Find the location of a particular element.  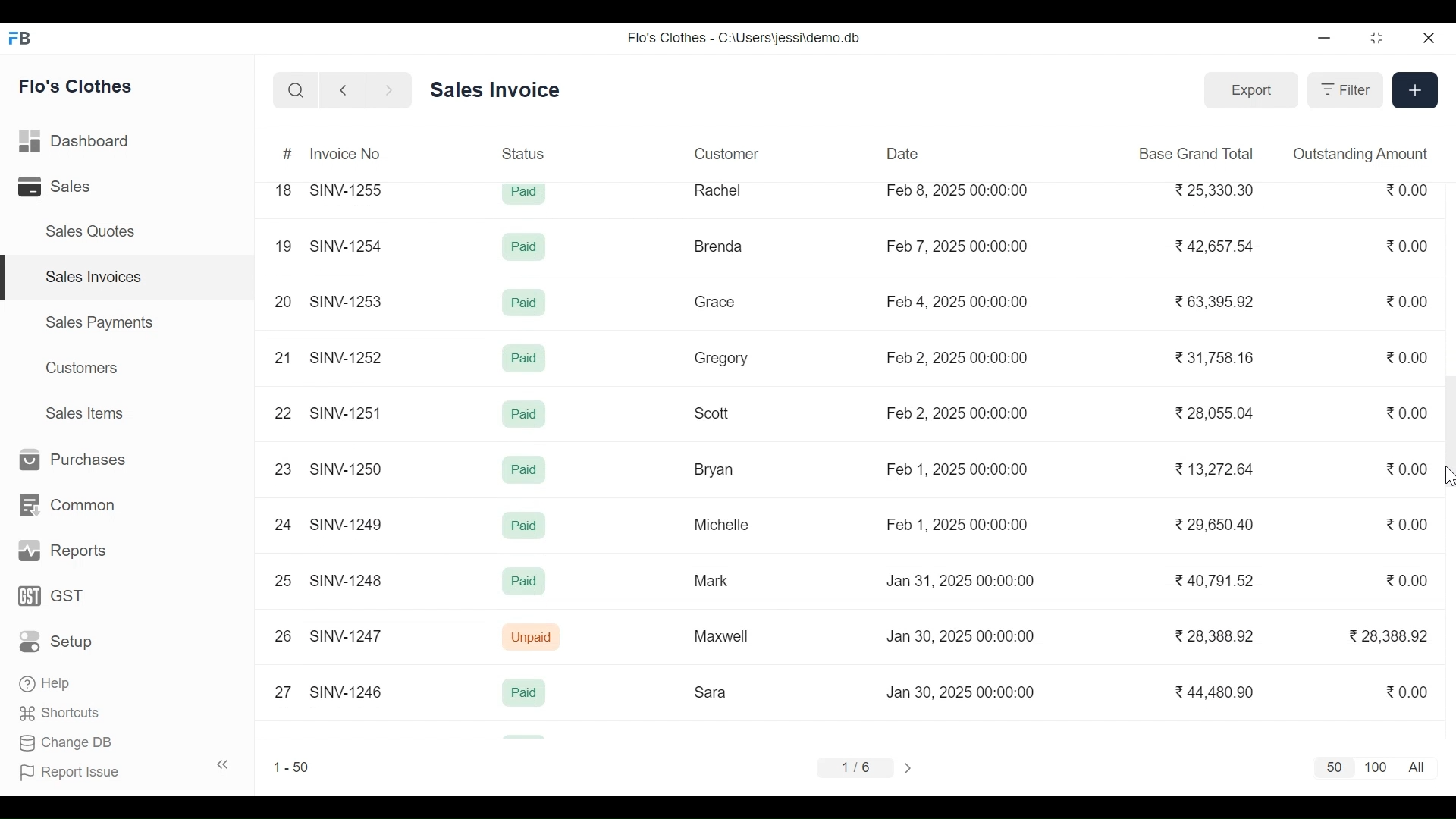

0.00 is located at coordinates (1409, 301).